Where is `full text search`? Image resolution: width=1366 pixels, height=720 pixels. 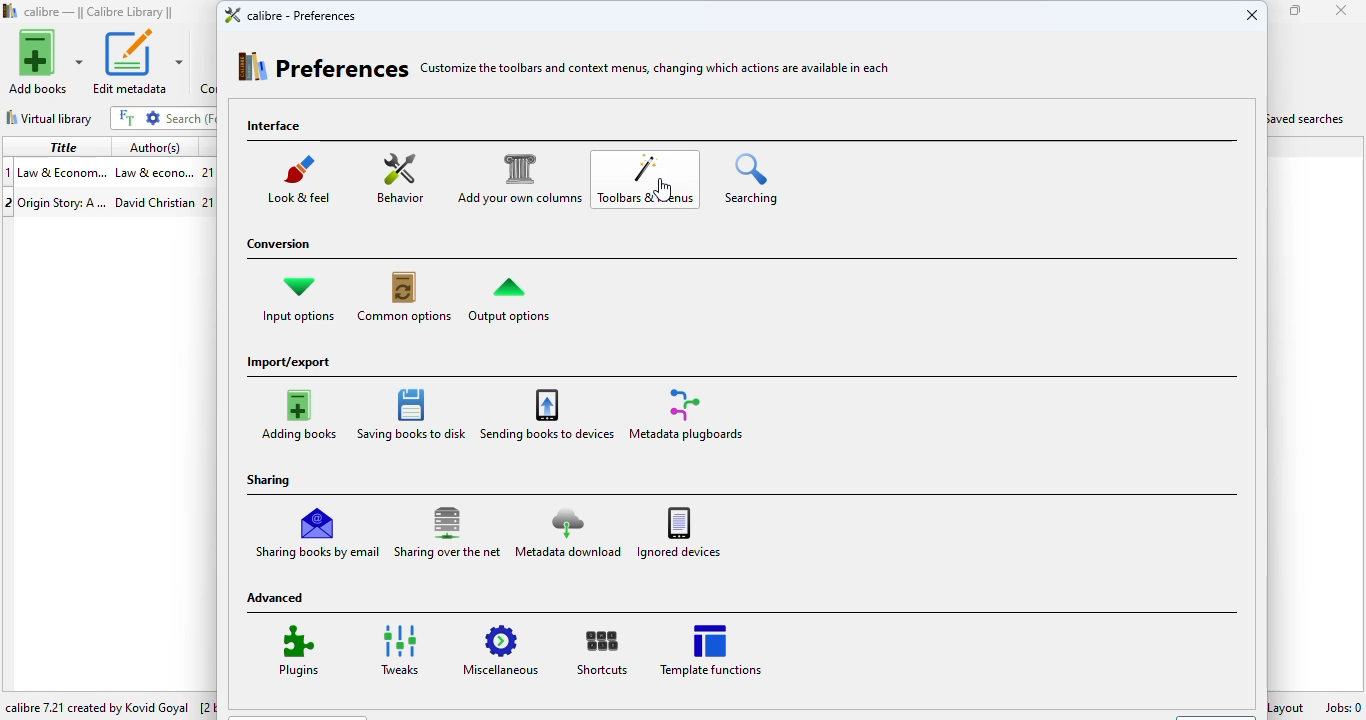
full text search is located at coordinates (126, 117).